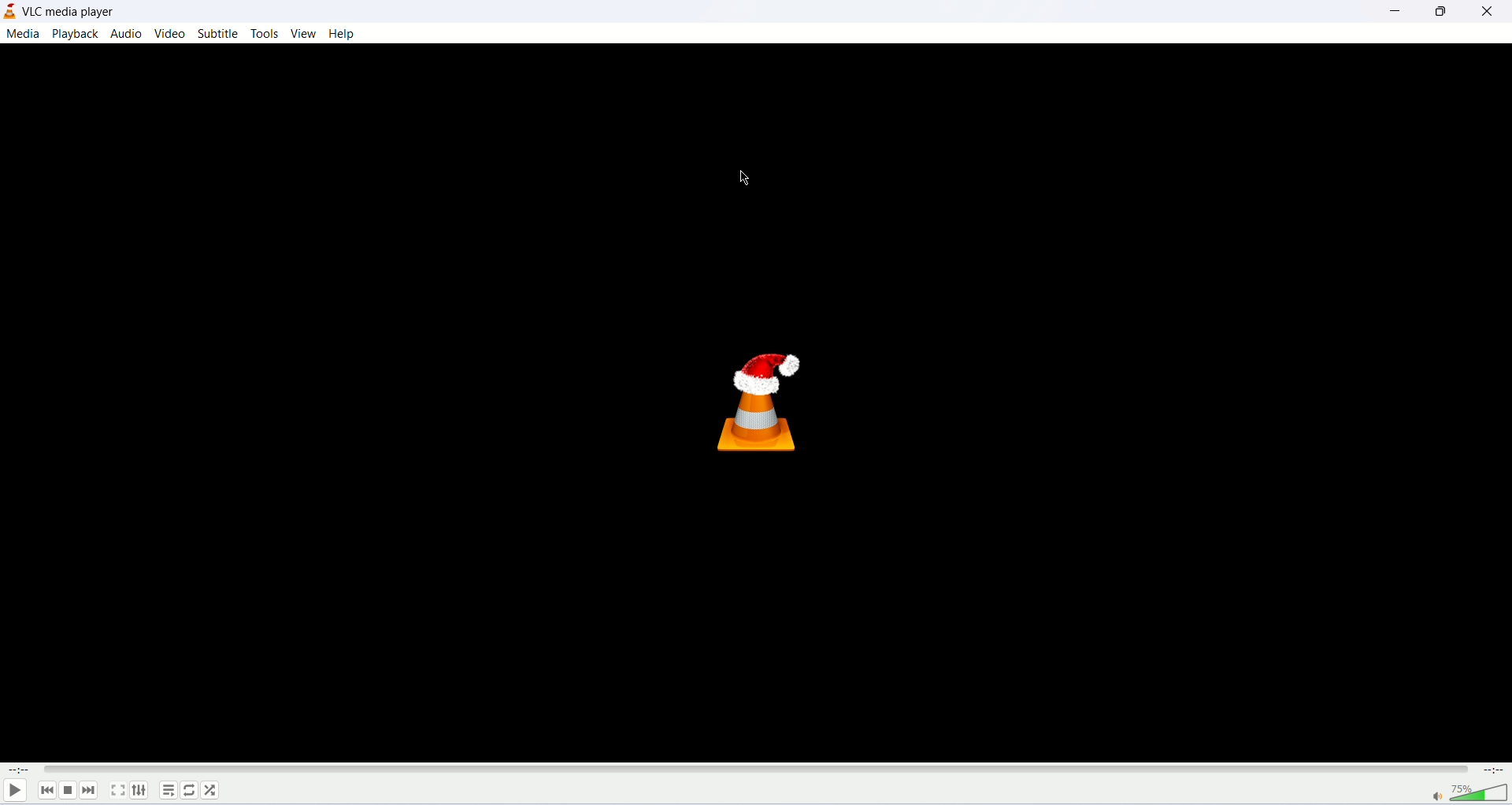 This screenshot has height=805, width=1512. What do you see at coordinates (9, 10) in the screenshot?
I see `logo` at bounding box center [9, 10].